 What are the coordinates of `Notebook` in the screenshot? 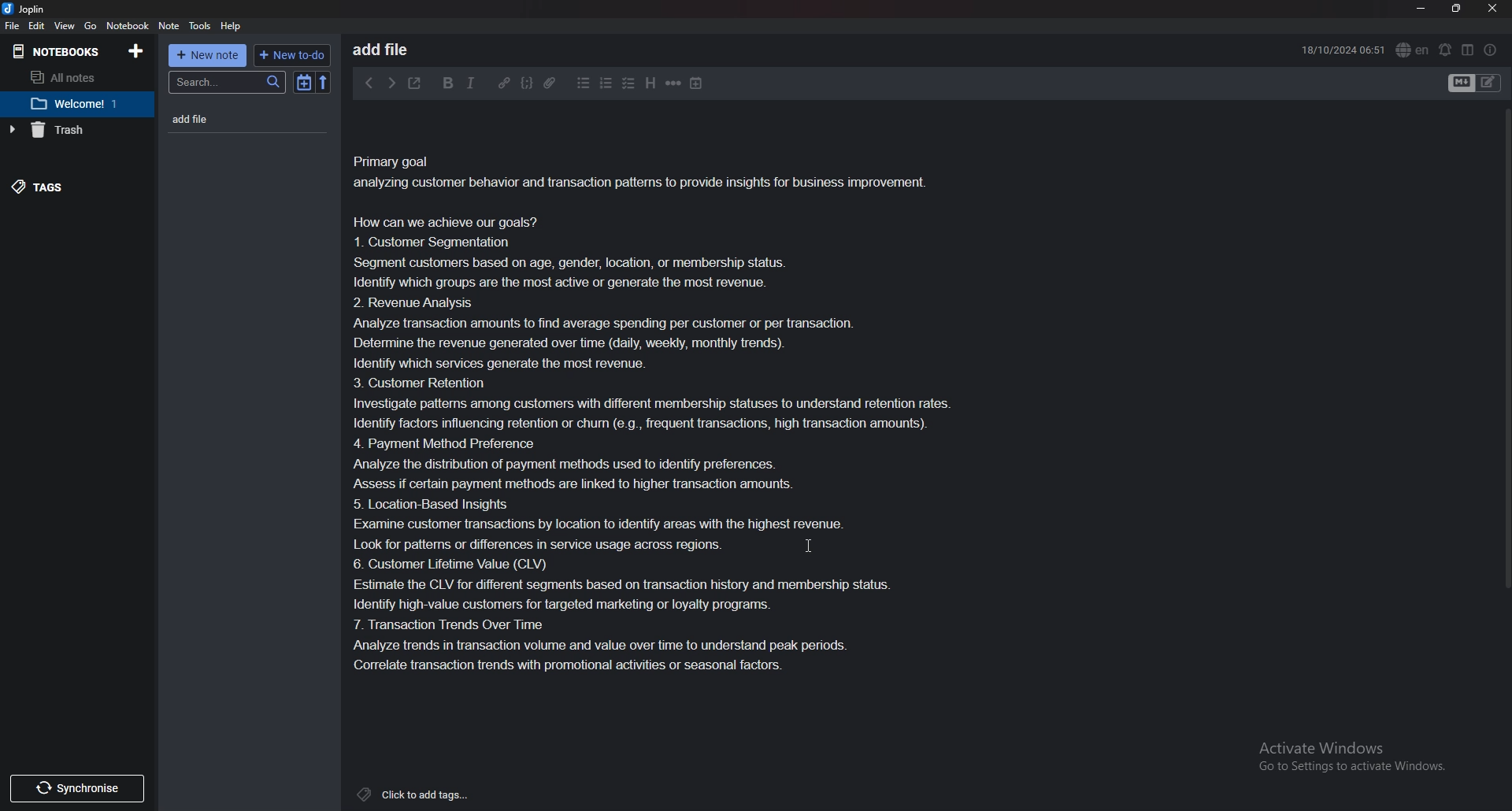 It's located at (128, 27).